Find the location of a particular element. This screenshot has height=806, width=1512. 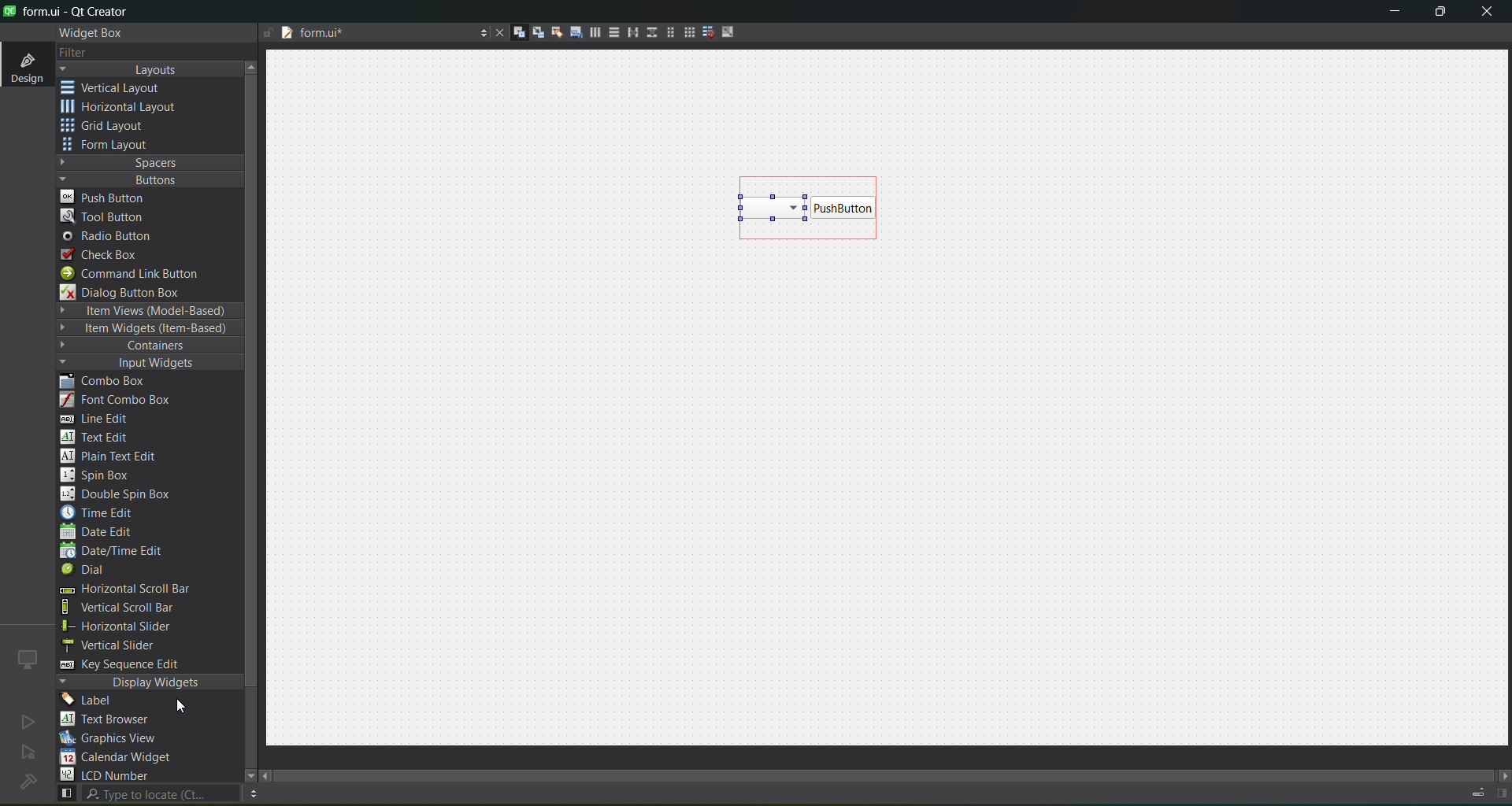

calendar is located at coordinates (118, 759).